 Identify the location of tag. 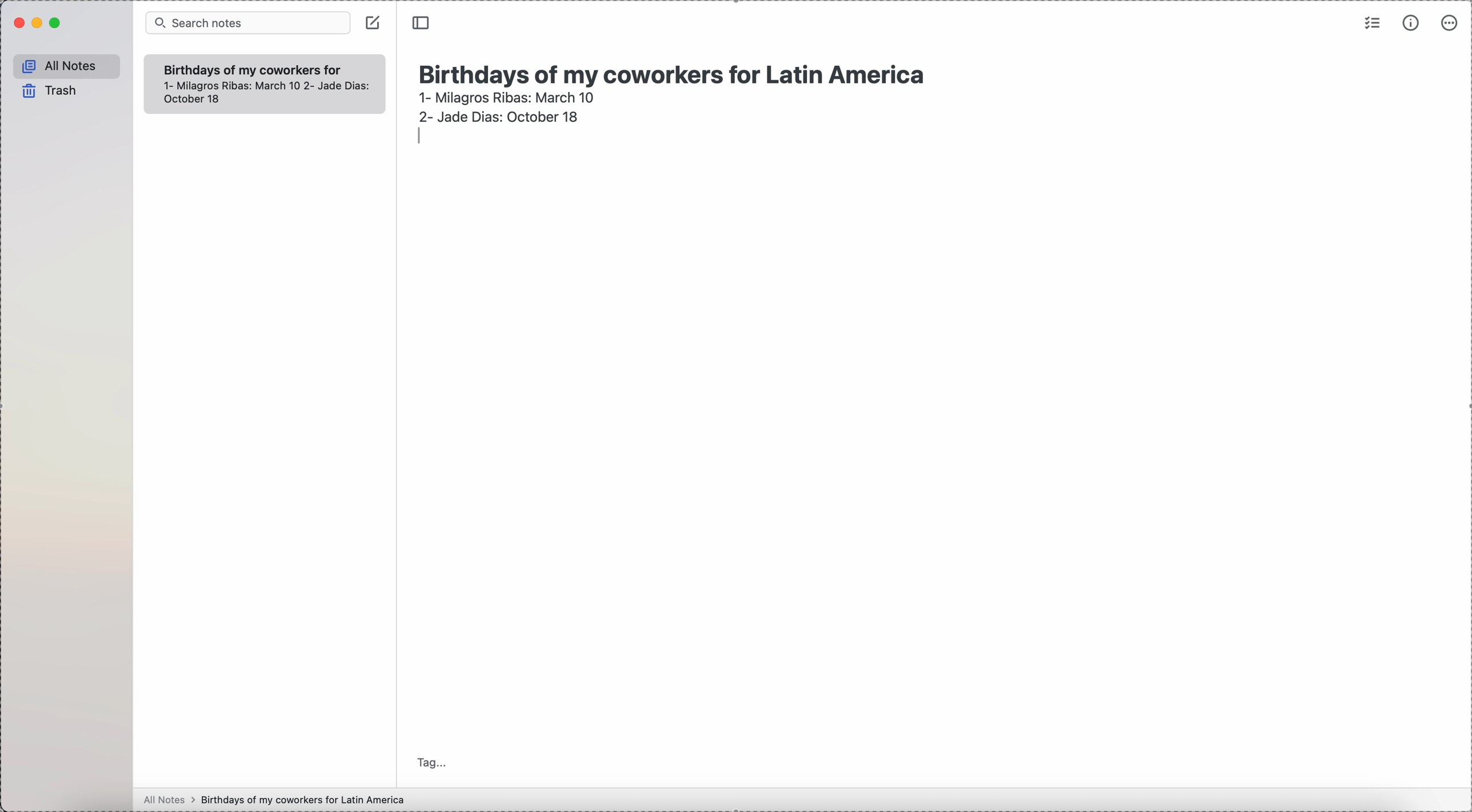
(433, 762).